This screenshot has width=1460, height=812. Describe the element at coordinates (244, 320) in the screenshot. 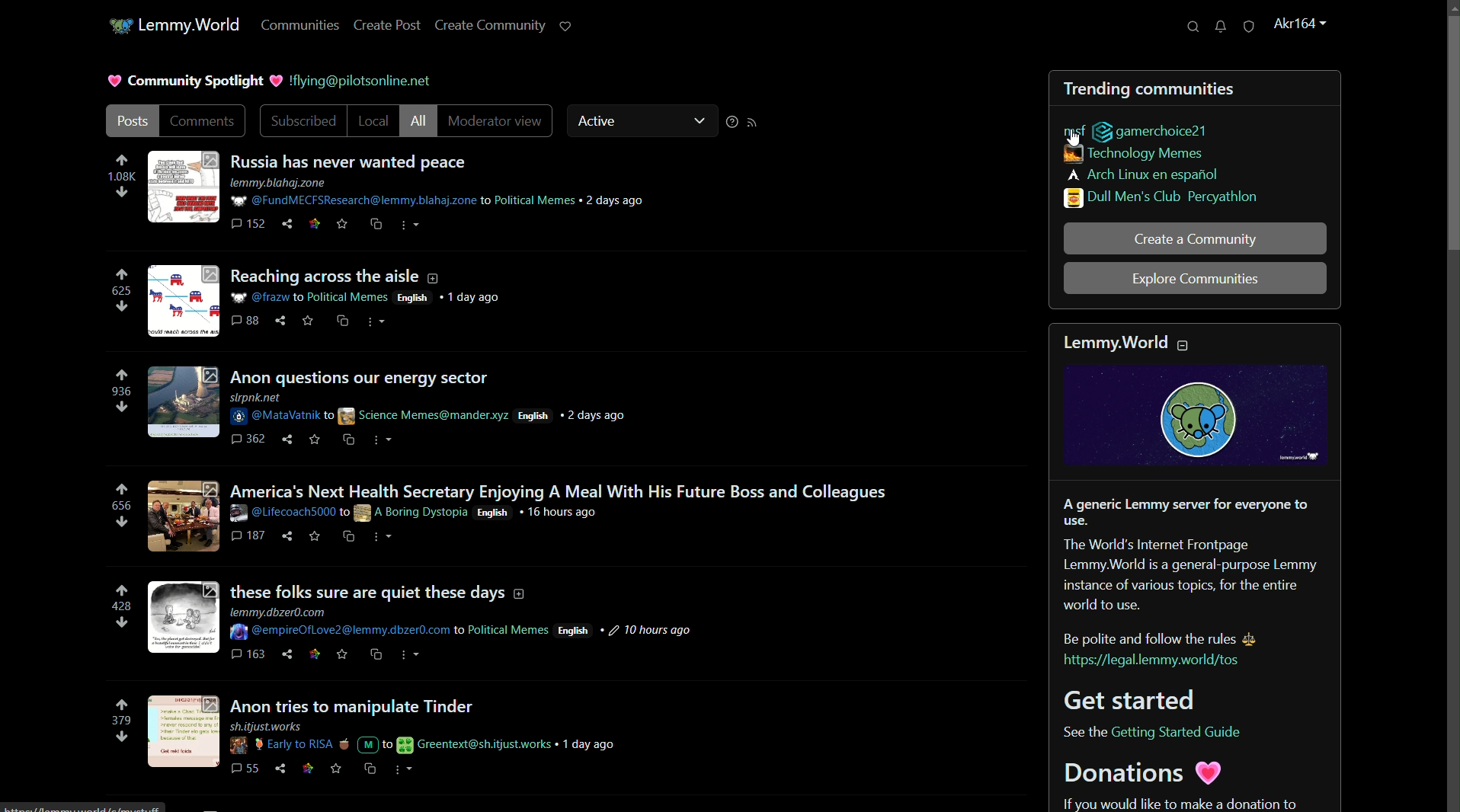

I see `comments` at that location.